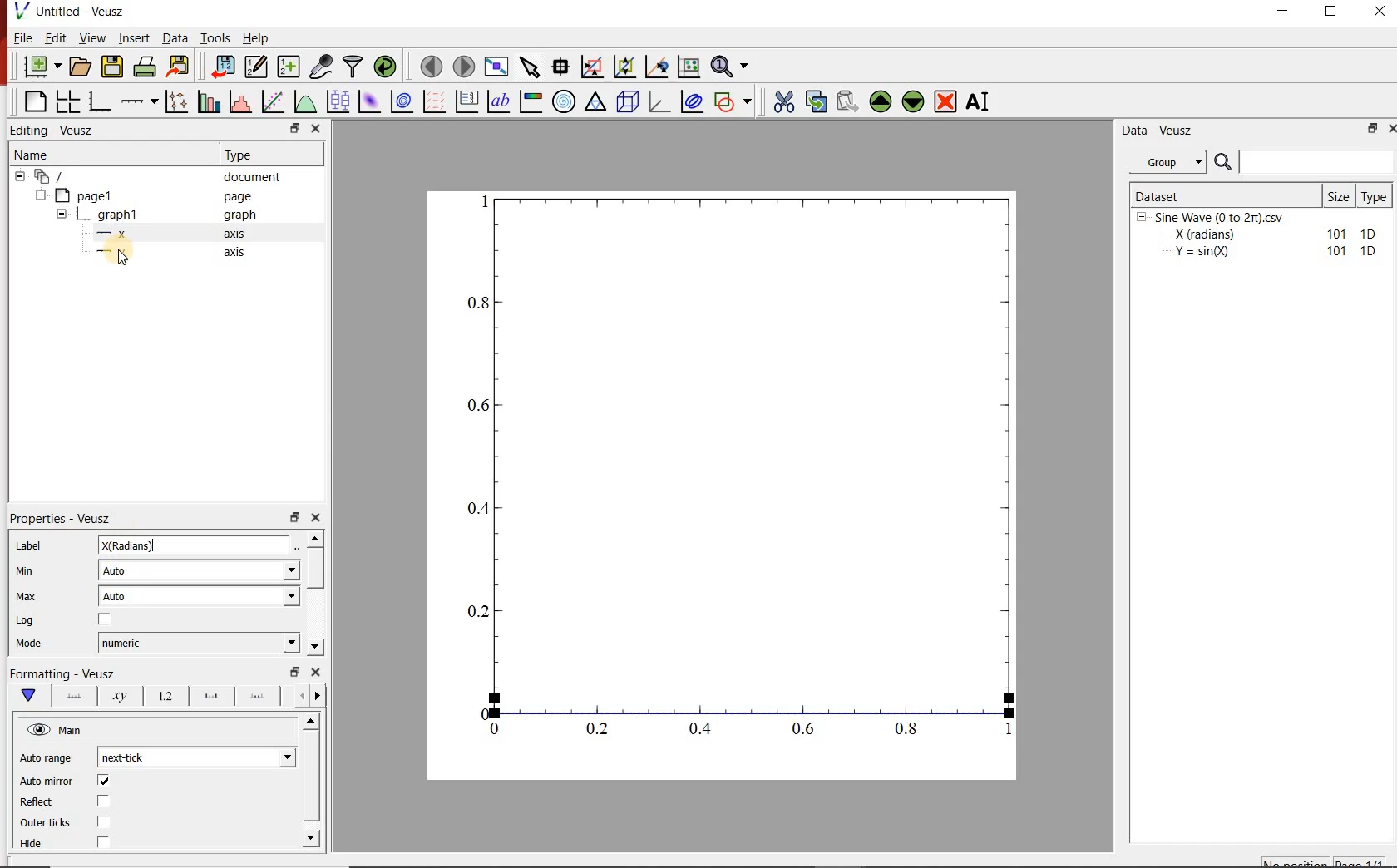 The width and height of the screenshot is (1397, 868). Describe the element at coordinates (354, 67) in the screenshot. I see `filter data` at that location.